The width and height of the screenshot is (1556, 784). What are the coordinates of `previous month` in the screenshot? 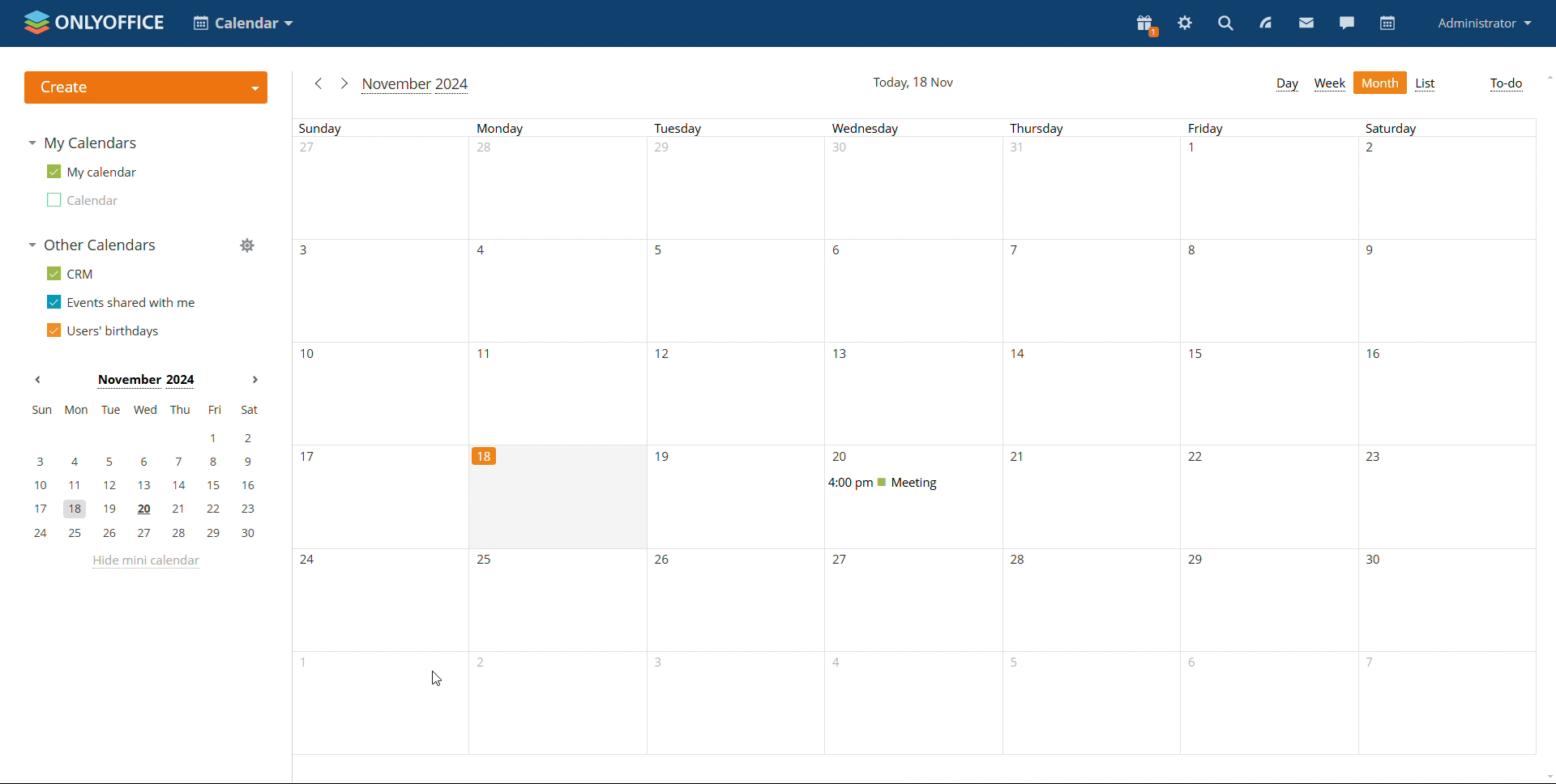 It's located at (37, 380).